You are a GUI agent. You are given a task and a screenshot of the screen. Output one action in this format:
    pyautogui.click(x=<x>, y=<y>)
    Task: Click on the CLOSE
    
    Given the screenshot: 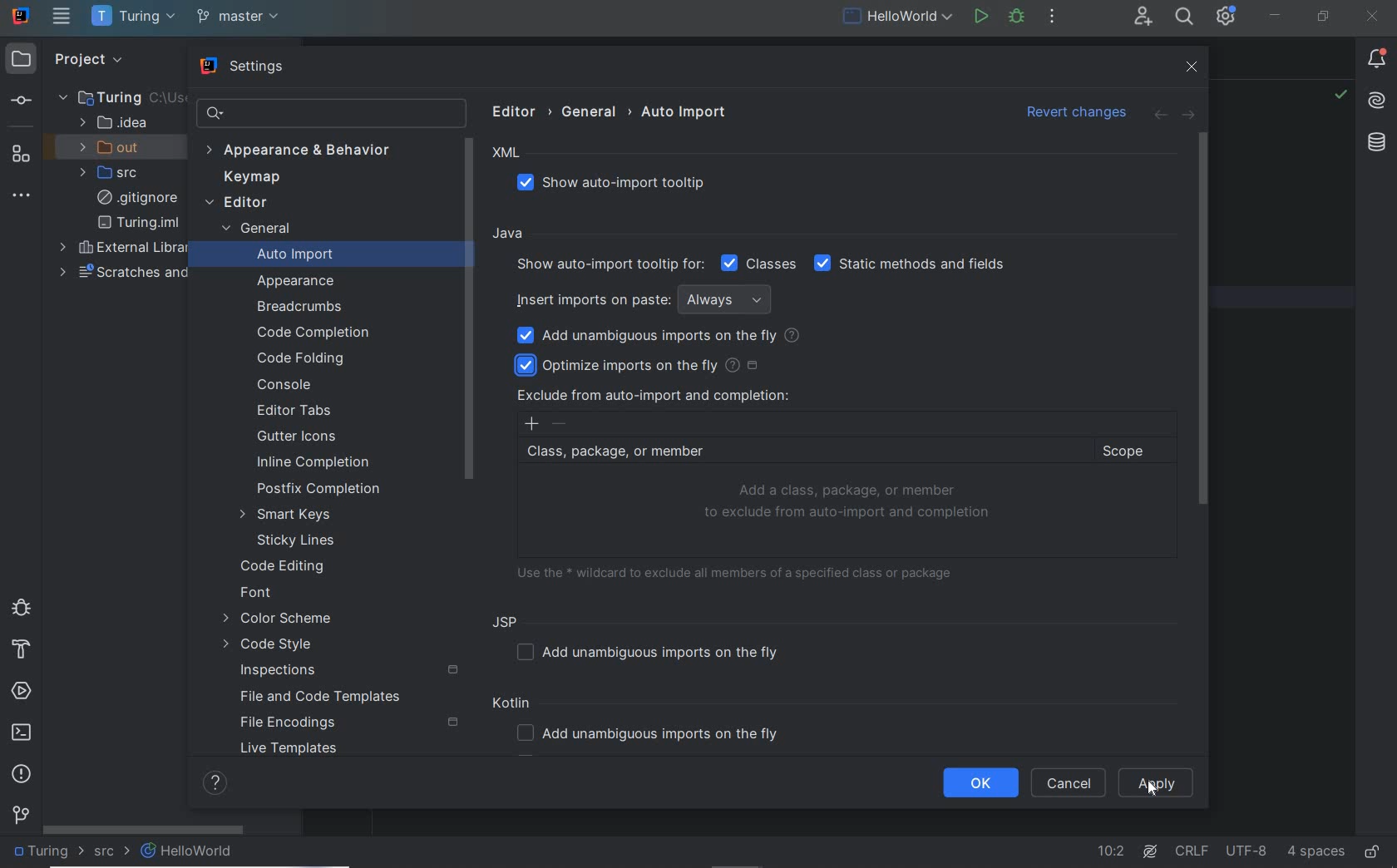 What is the action you would take?
    pyautogui.click(x=1370, y=17)
    